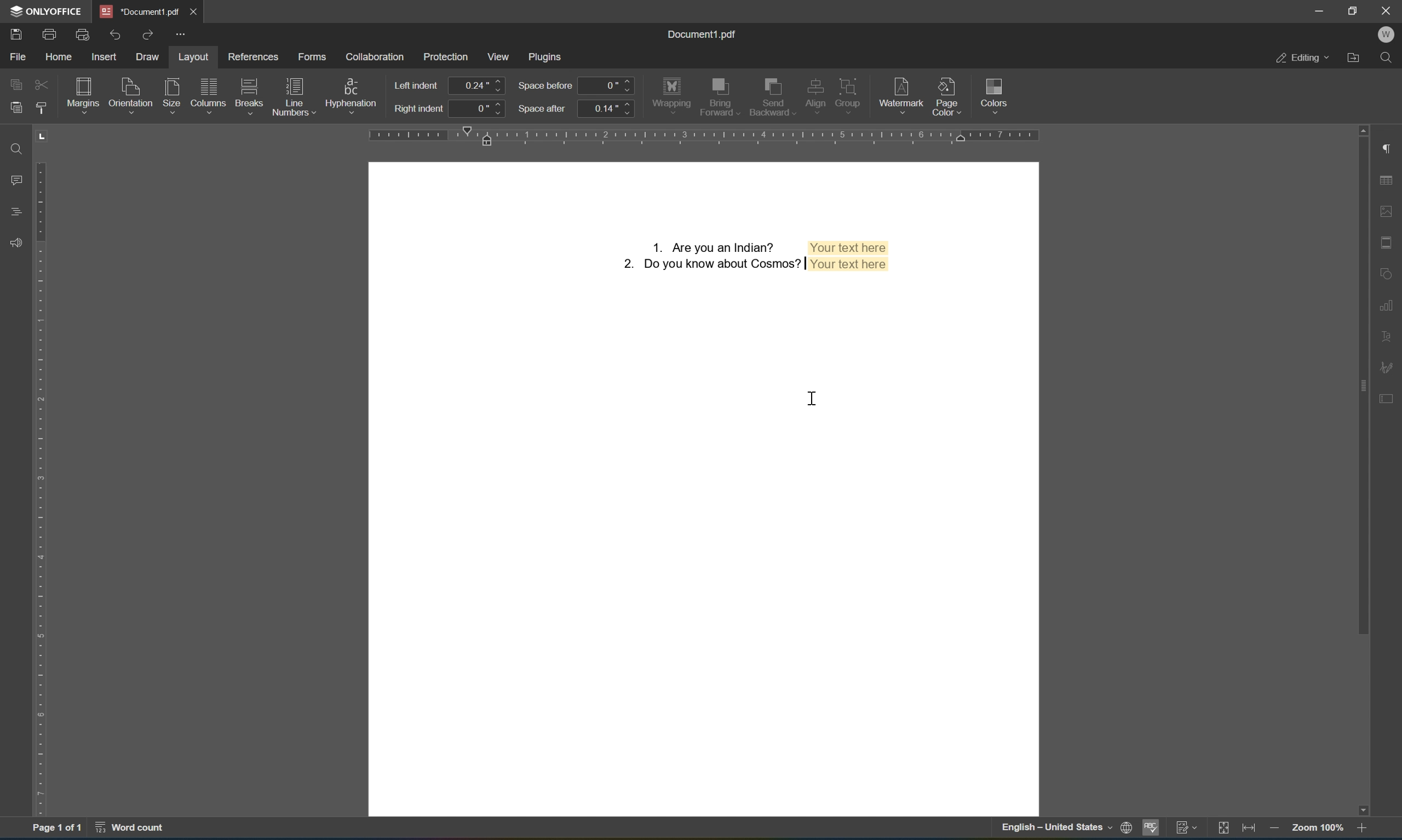 The height and width of the screenshot is (840, 1402). Describe the element at coordinates (208, 94) in the screenshot. I see `columns` at that location.